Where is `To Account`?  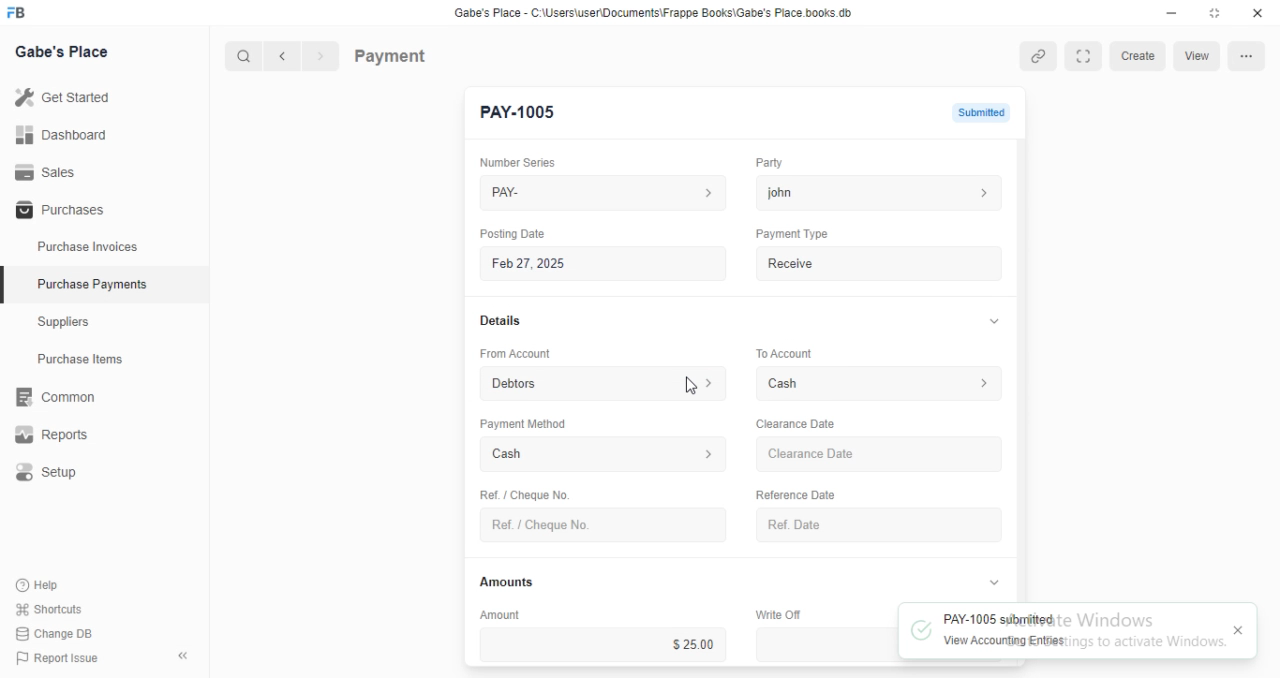
To Account is located at coordinates (782, 352).